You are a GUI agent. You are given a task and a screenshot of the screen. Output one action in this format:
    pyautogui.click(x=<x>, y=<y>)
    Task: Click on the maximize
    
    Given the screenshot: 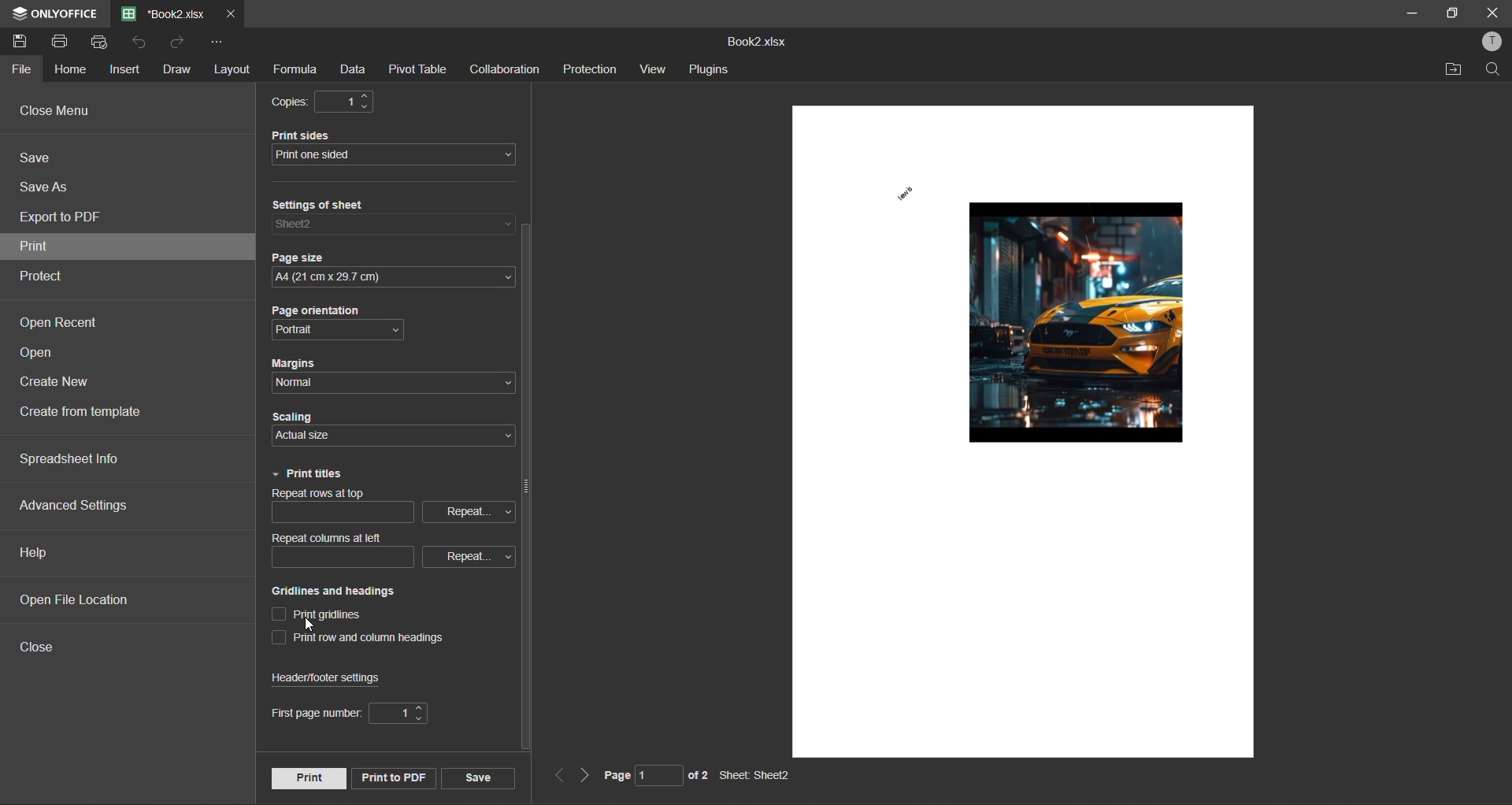 What is the action you would take?
    pyautogui.click(x=1451, y=12)
    